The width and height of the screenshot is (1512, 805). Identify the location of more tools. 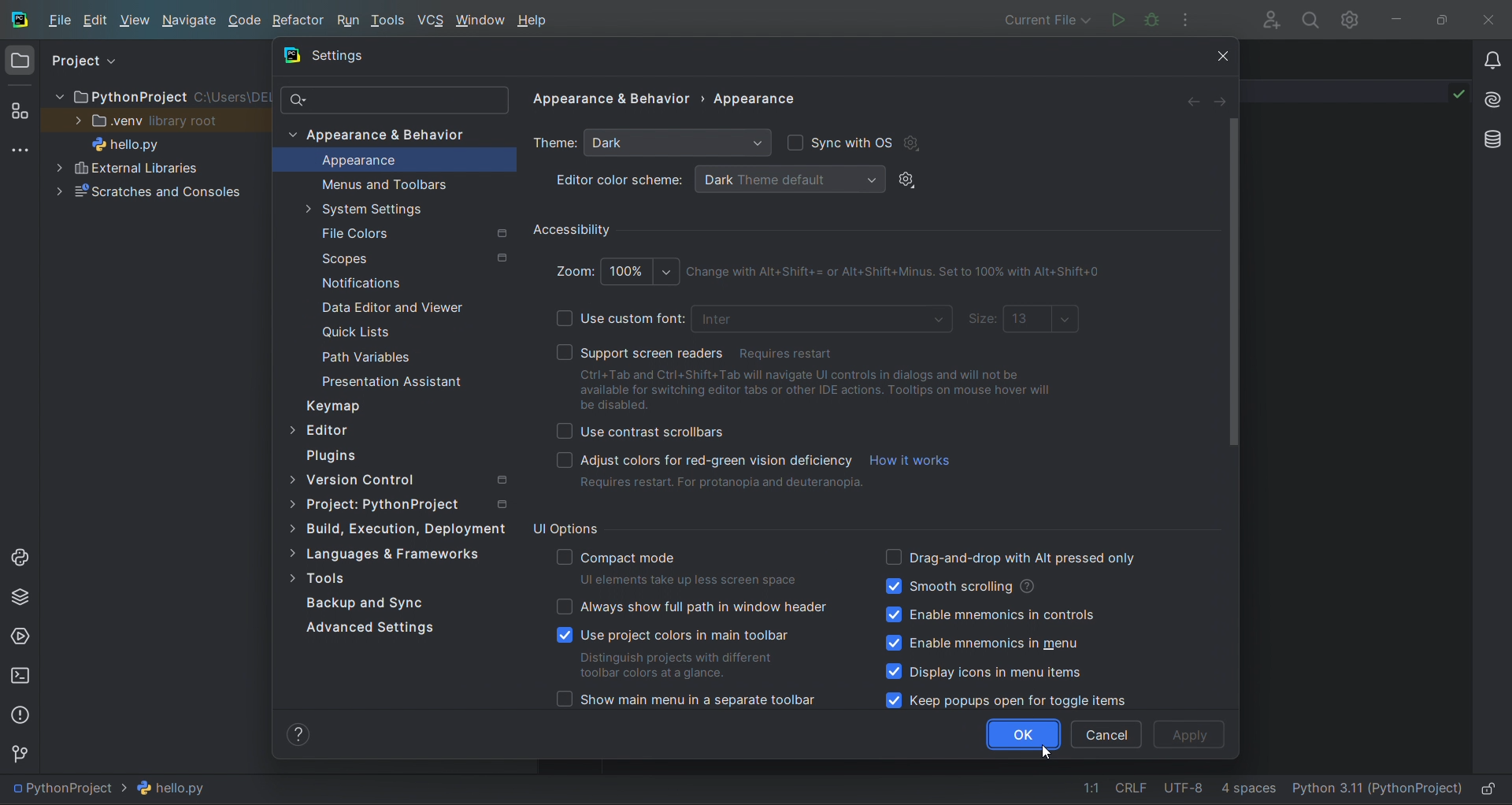
(20, 148).